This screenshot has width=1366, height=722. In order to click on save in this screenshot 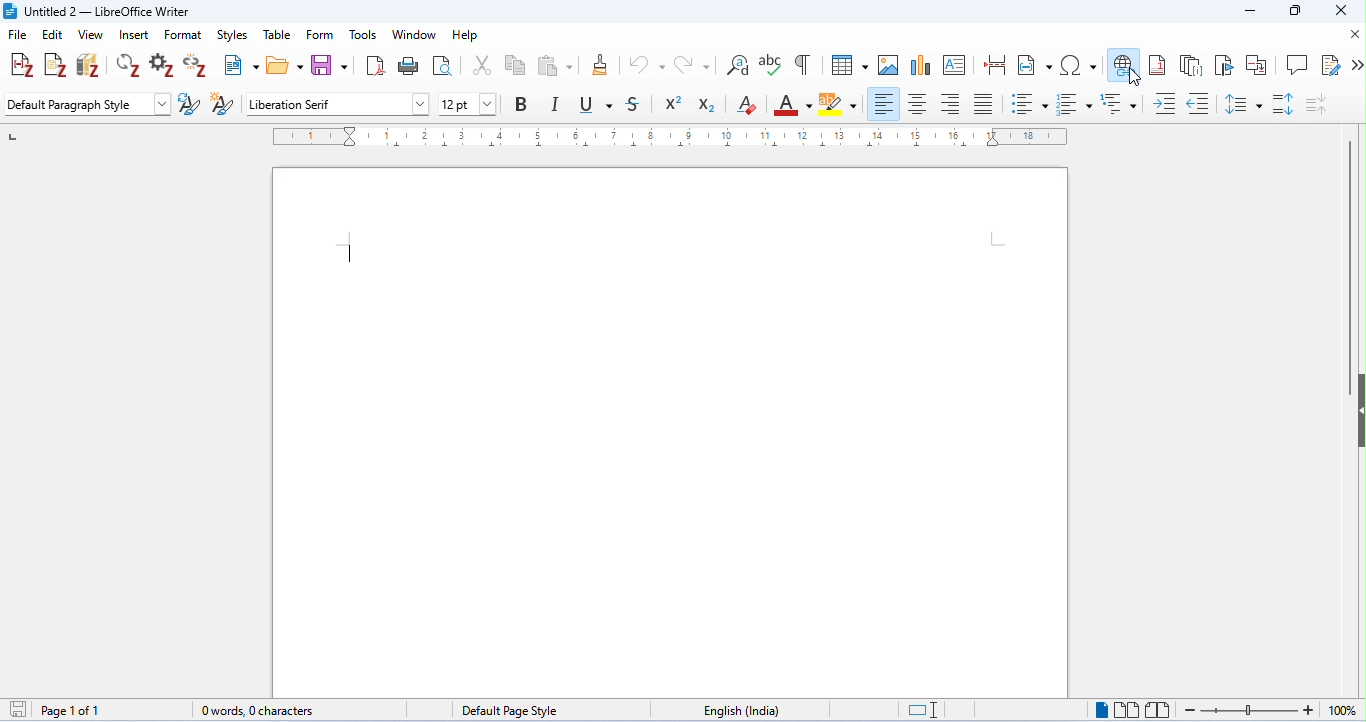, I will do `click(330, 65)`.